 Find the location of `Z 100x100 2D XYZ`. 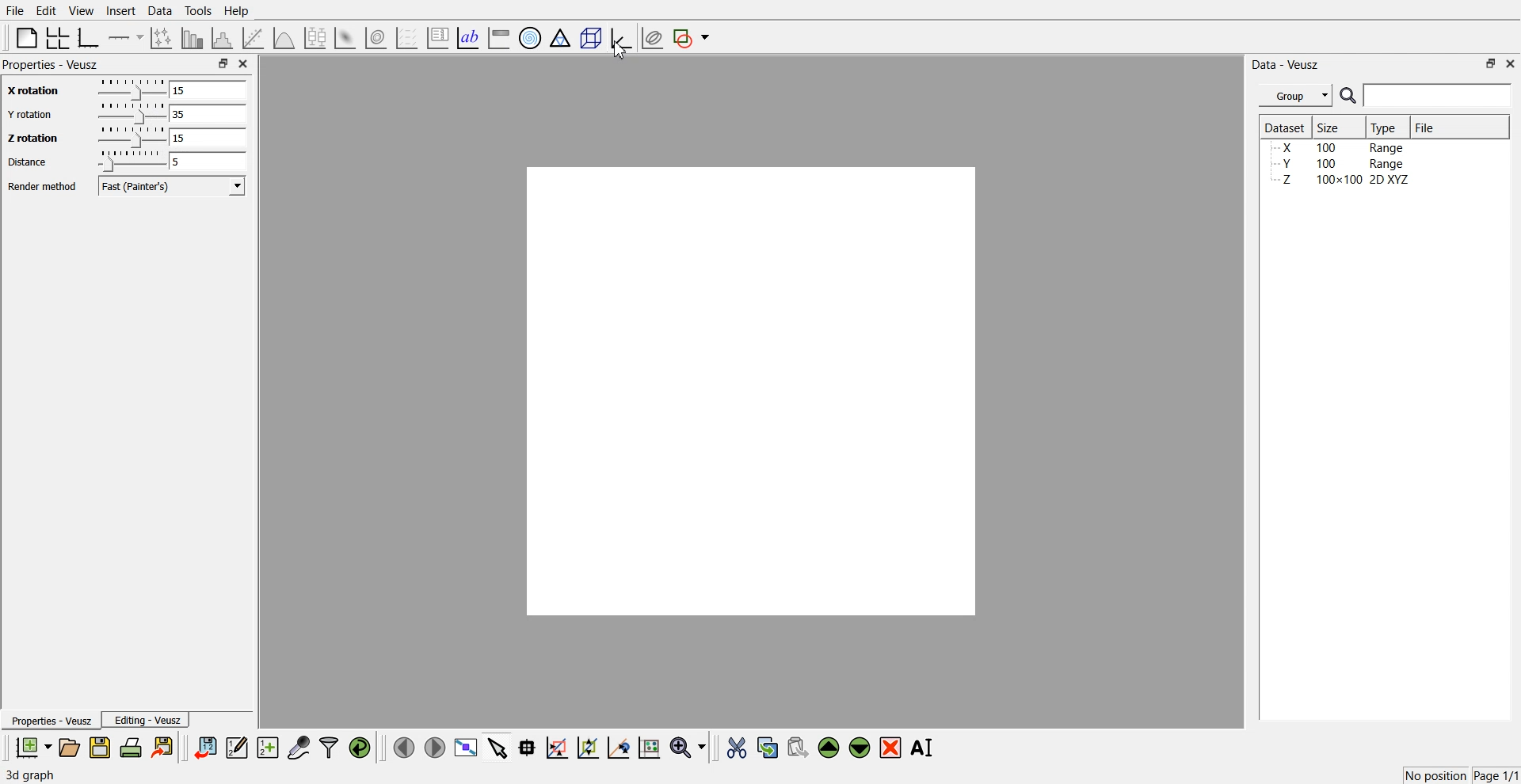

Z 100x100 2D XYZ is located at coordinates (1343, 180).